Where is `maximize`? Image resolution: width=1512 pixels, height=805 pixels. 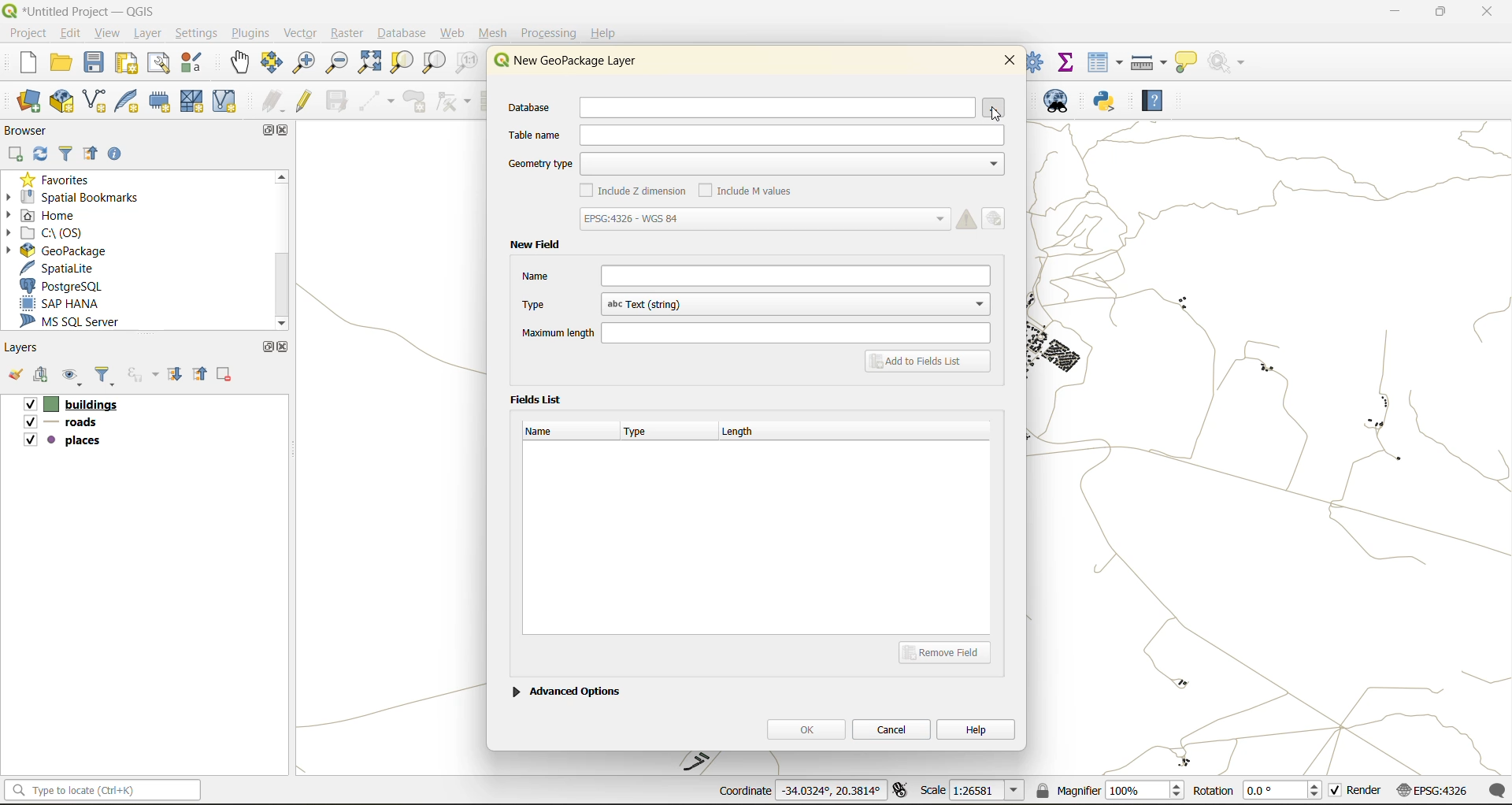 maximize is located at coordinates (267, 347).